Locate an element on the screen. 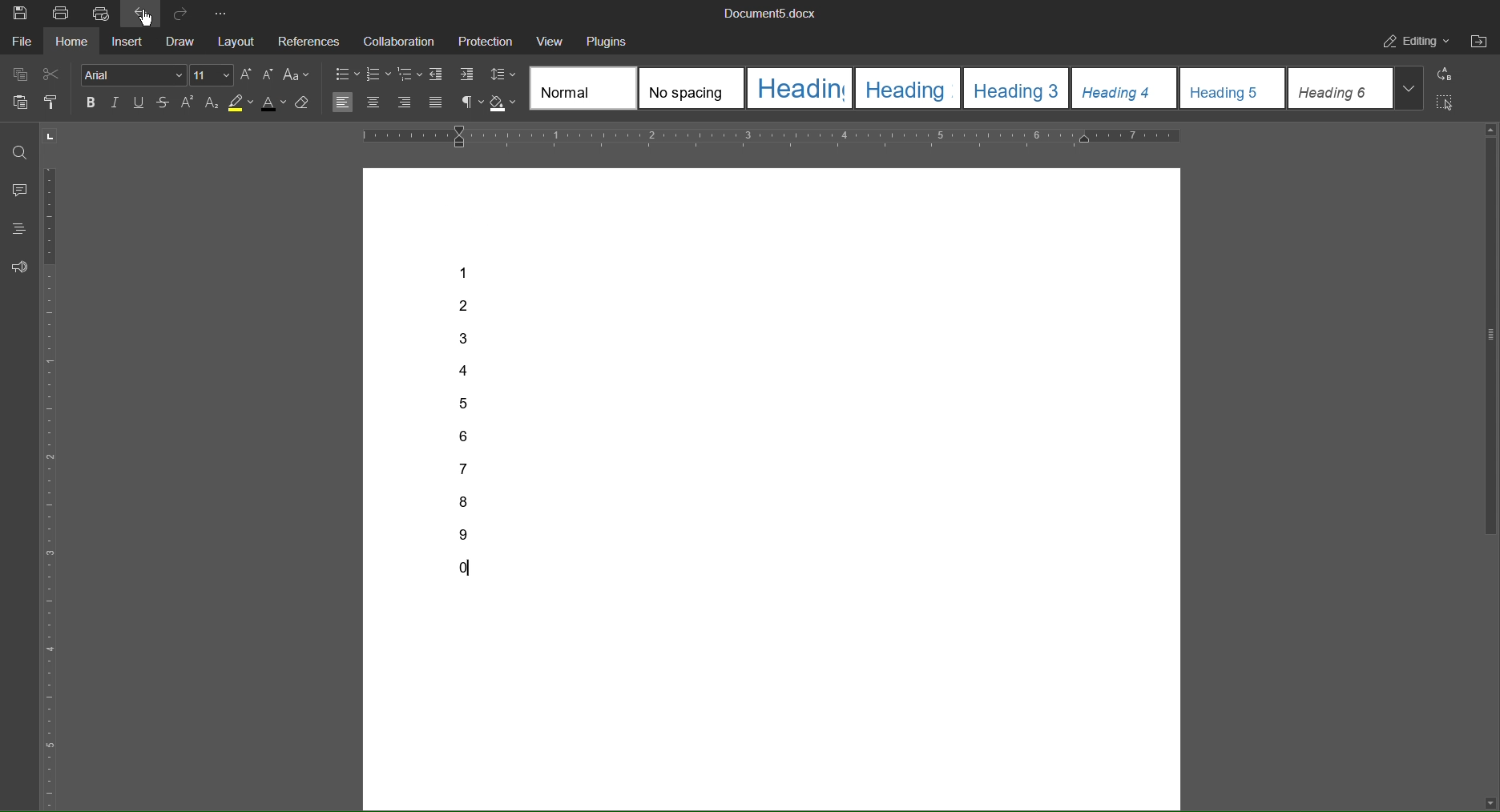 Image resolution: width=1500 pixels, height=812 pixels. Document5.docx is located at coordinates (772, 14).